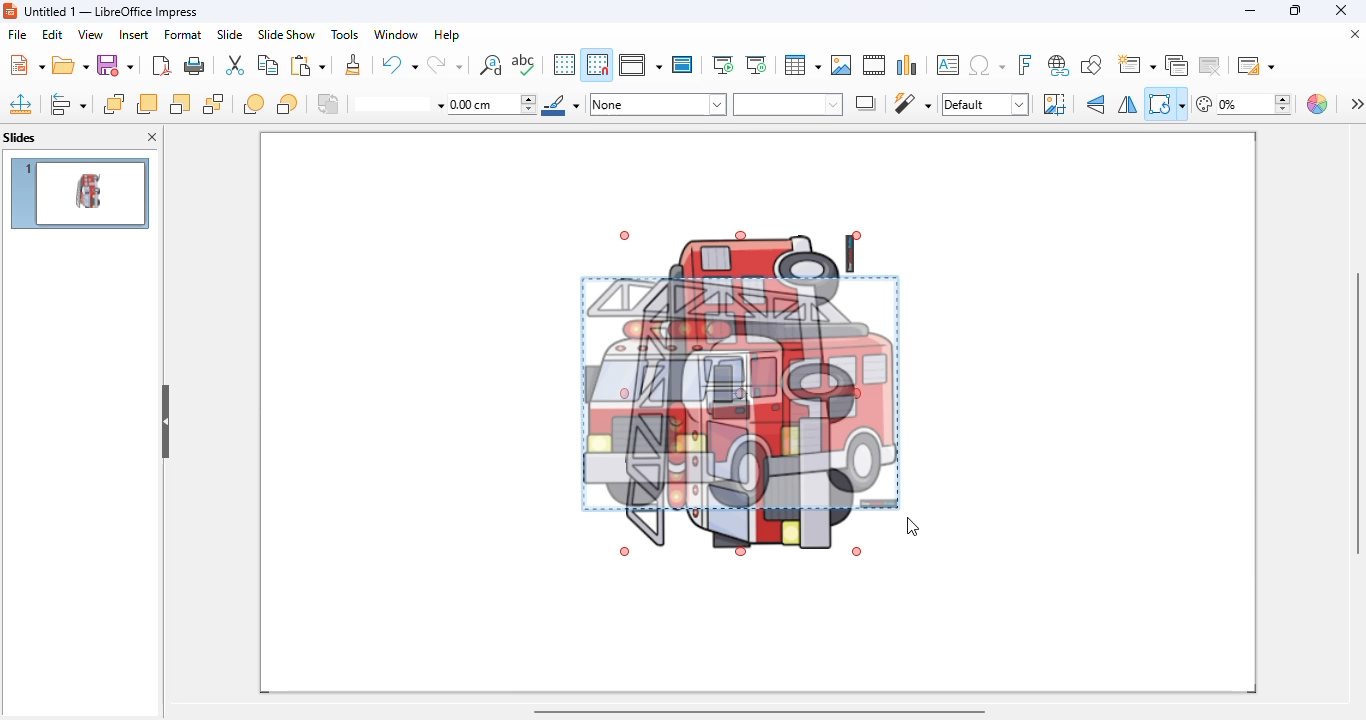 The width and height of the screenshot is (1366, 720). What do you see at coordinates (1354, 33) in the screenshot?
I see `close document` at bounding box center [1354, 33].